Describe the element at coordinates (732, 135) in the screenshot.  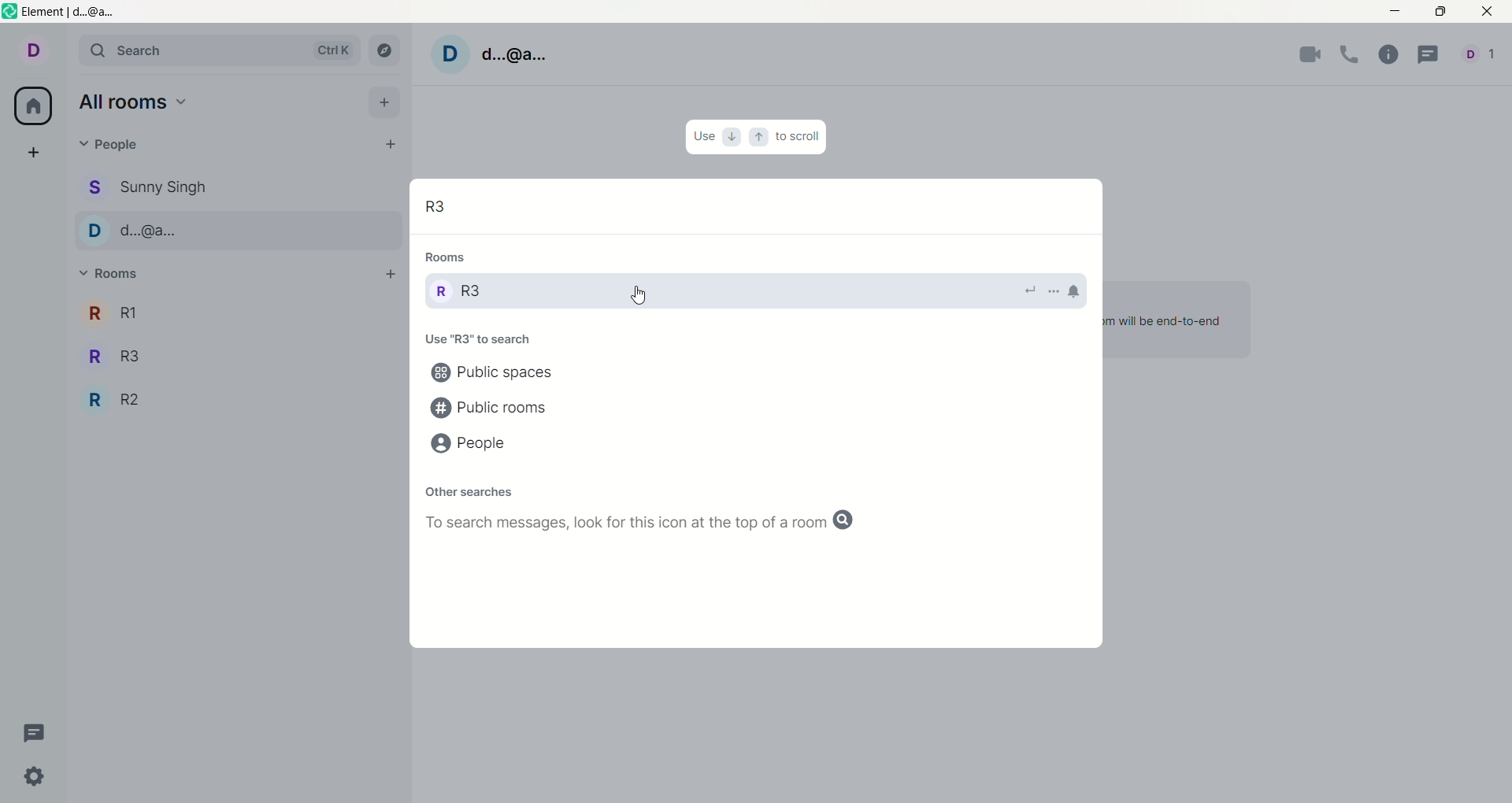
I see `arrow down` at that location.